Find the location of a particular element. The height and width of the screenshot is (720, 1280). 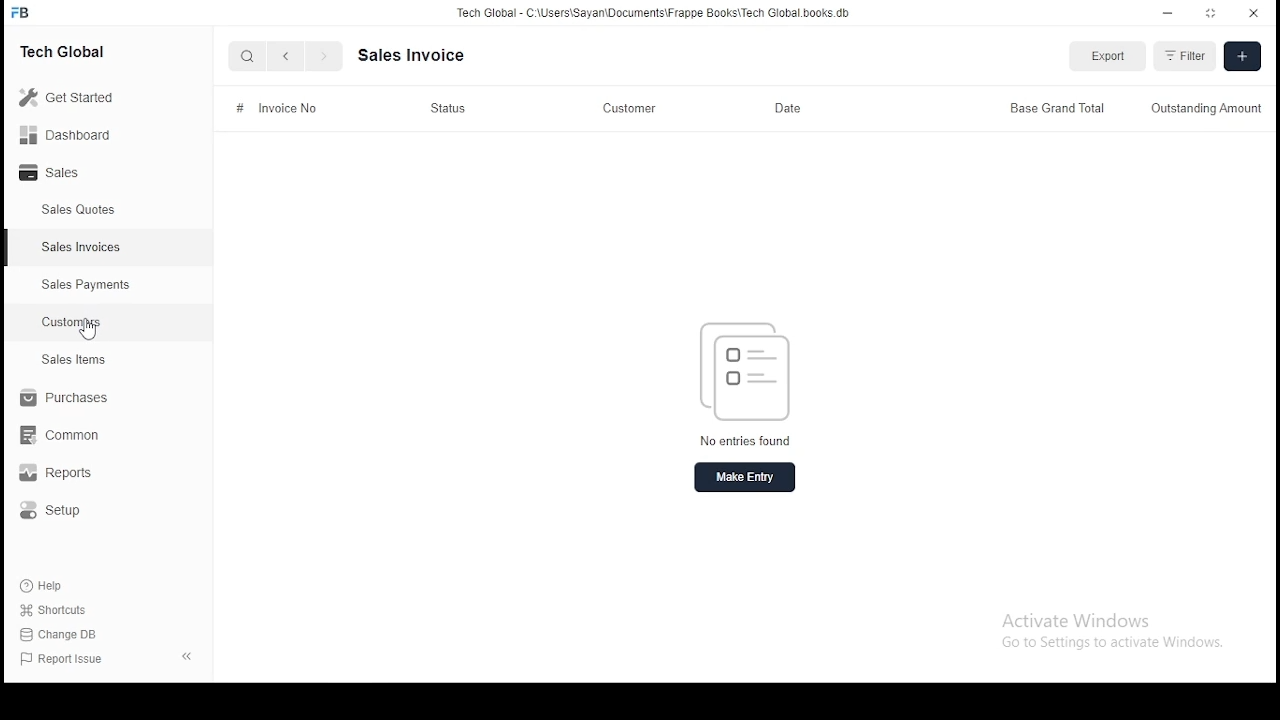

icon is located at coordinates (23, 12).